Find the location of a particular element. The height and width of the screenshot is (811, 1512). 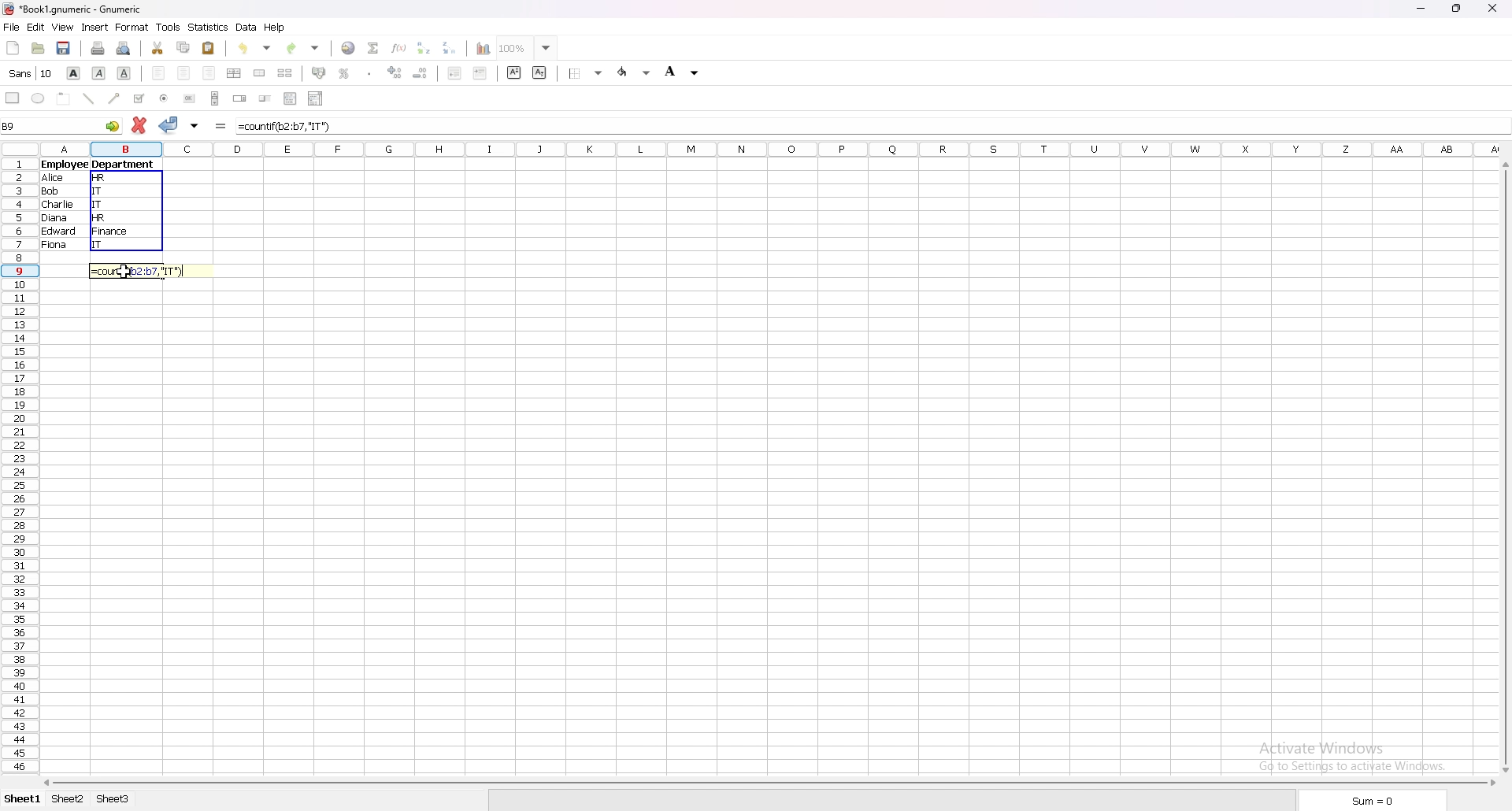

charlie is located at coordinates (62, 206).